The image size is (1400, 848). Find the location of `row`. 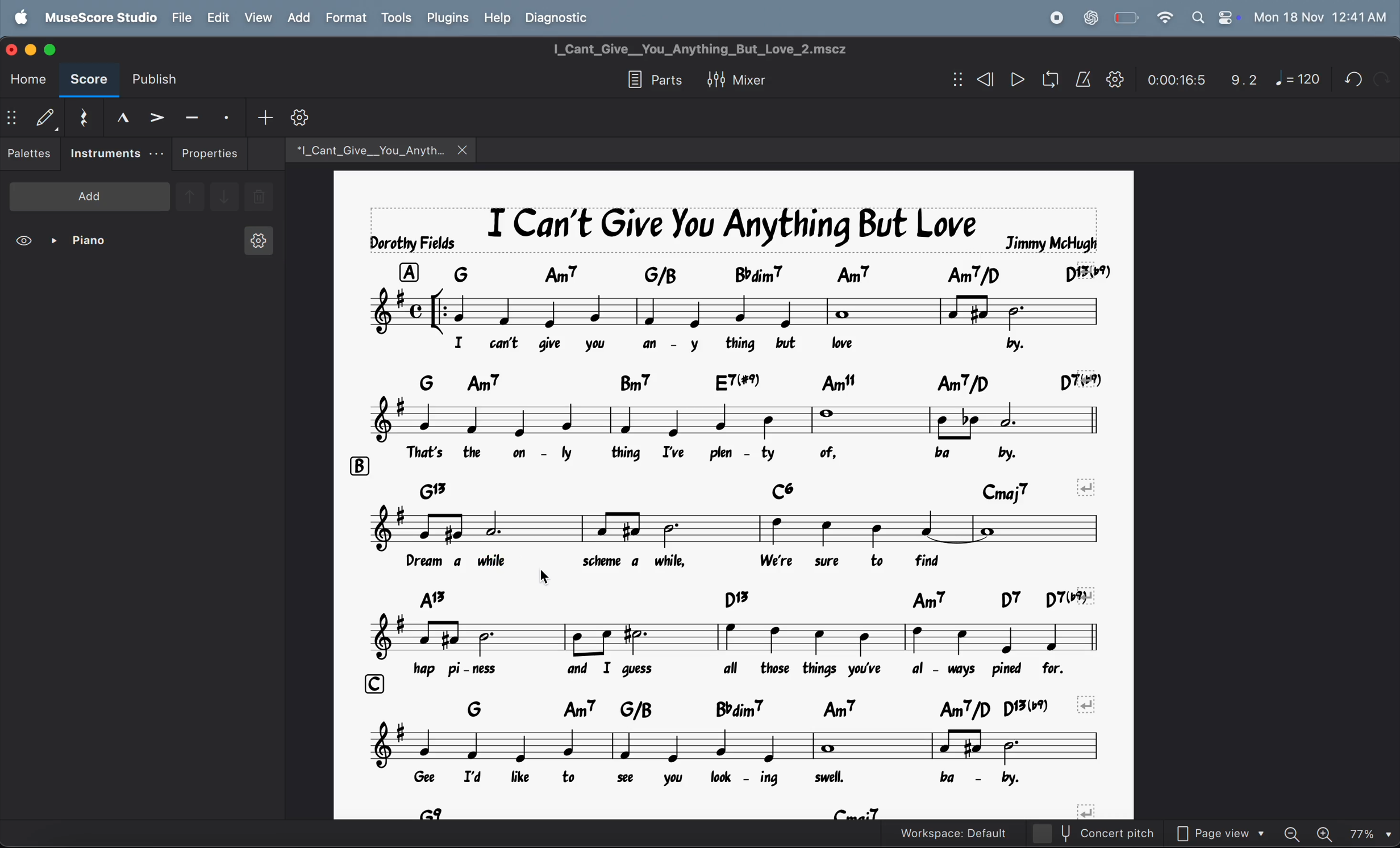

row is located at coordinates (409, 274).